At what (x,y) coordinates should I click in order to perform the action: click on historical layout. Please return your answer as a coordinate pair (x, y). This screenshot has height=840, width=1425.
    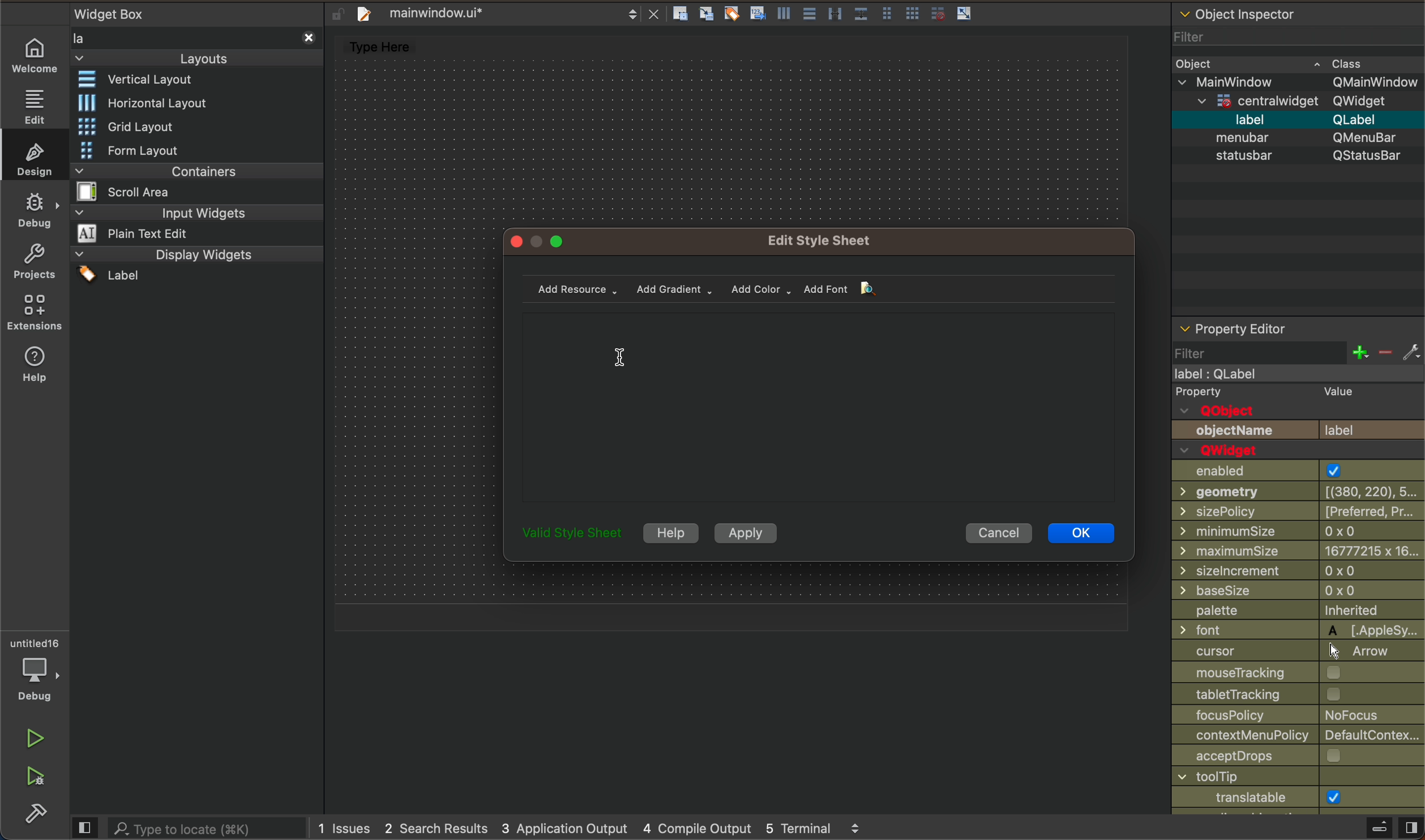
    Looking at the image, I should click on (144, 102).